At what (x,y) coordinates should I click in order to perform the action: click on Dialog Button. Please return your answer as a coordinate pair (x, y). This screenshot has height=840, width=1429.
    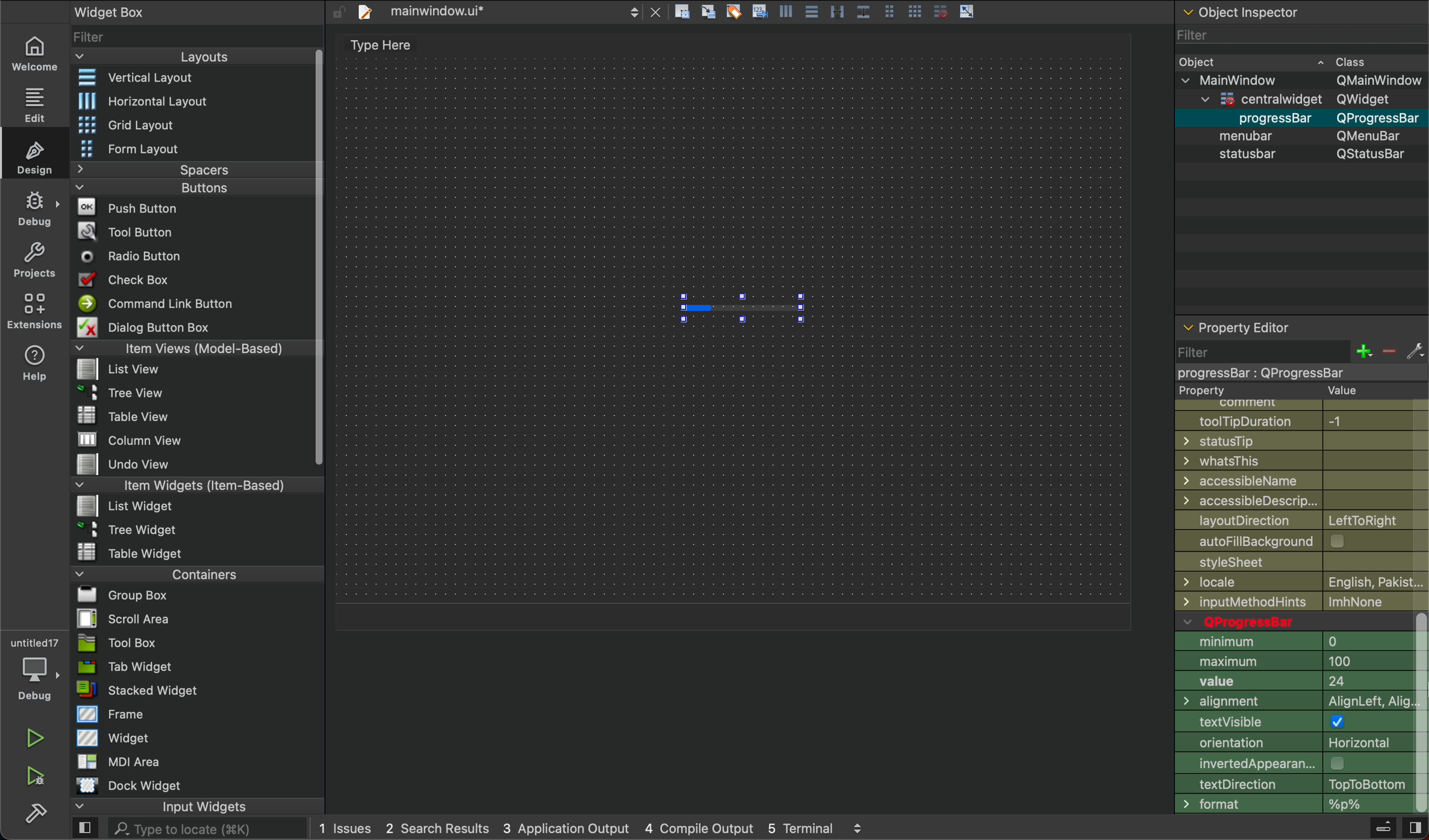
    Looking at the image, I should click on (157, 326).